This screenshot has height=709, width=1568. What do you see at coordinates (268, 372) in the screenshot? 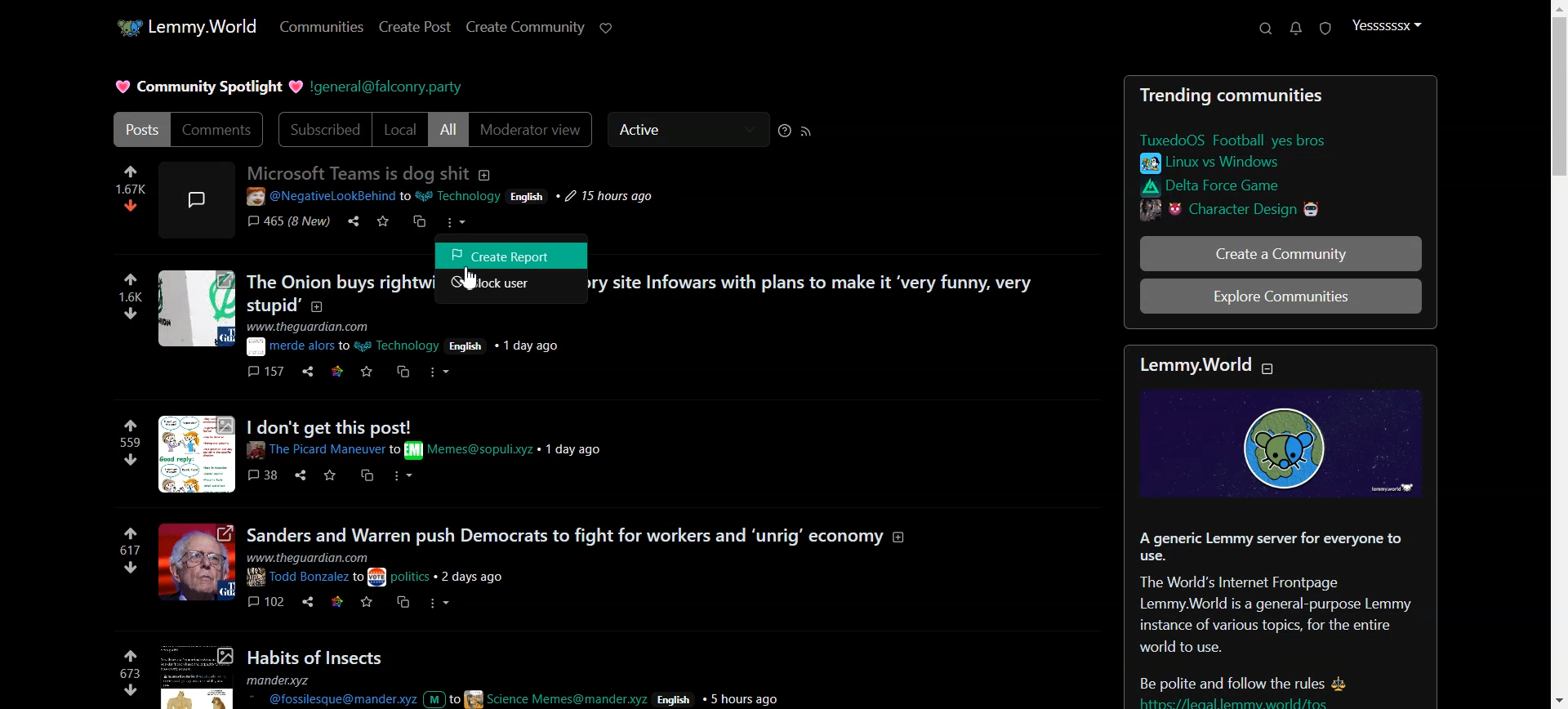
I see `comments` at bounding box center [268, 372].